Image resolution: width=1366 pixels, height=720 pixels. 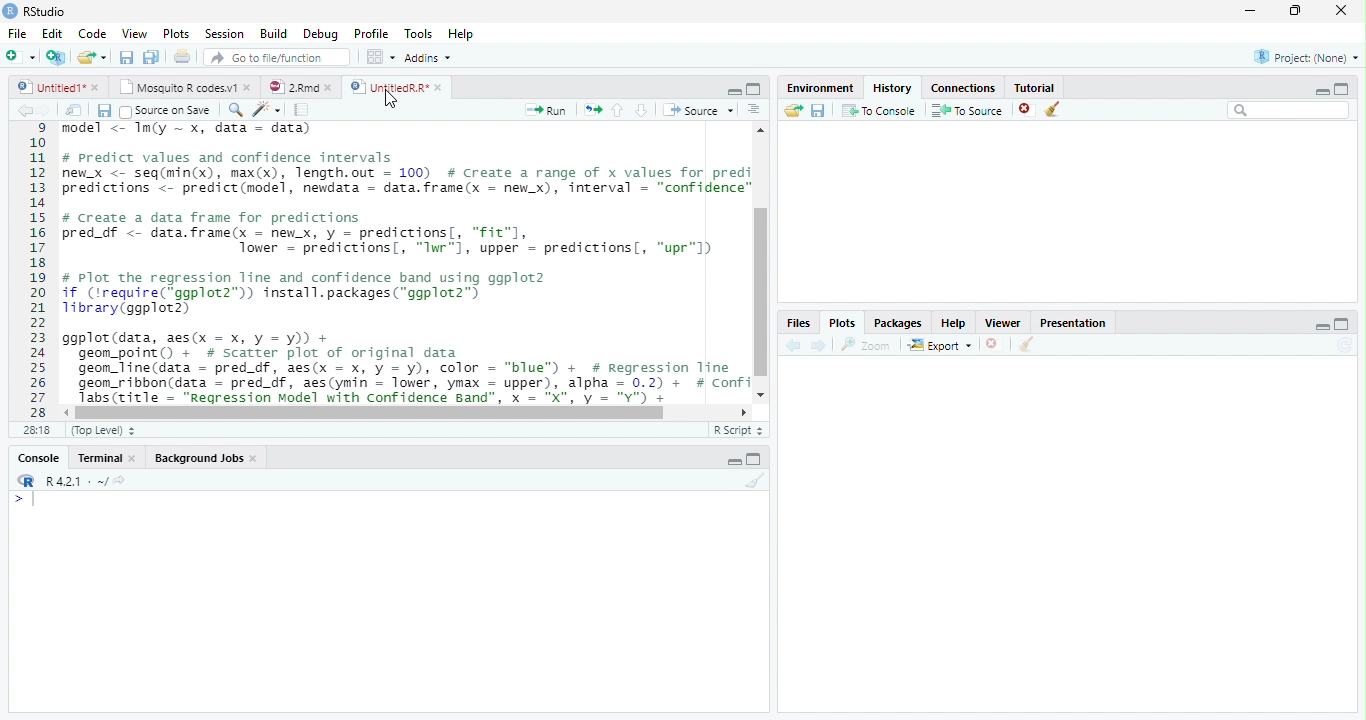 I want to click on Save , so click(x=106, y=111).